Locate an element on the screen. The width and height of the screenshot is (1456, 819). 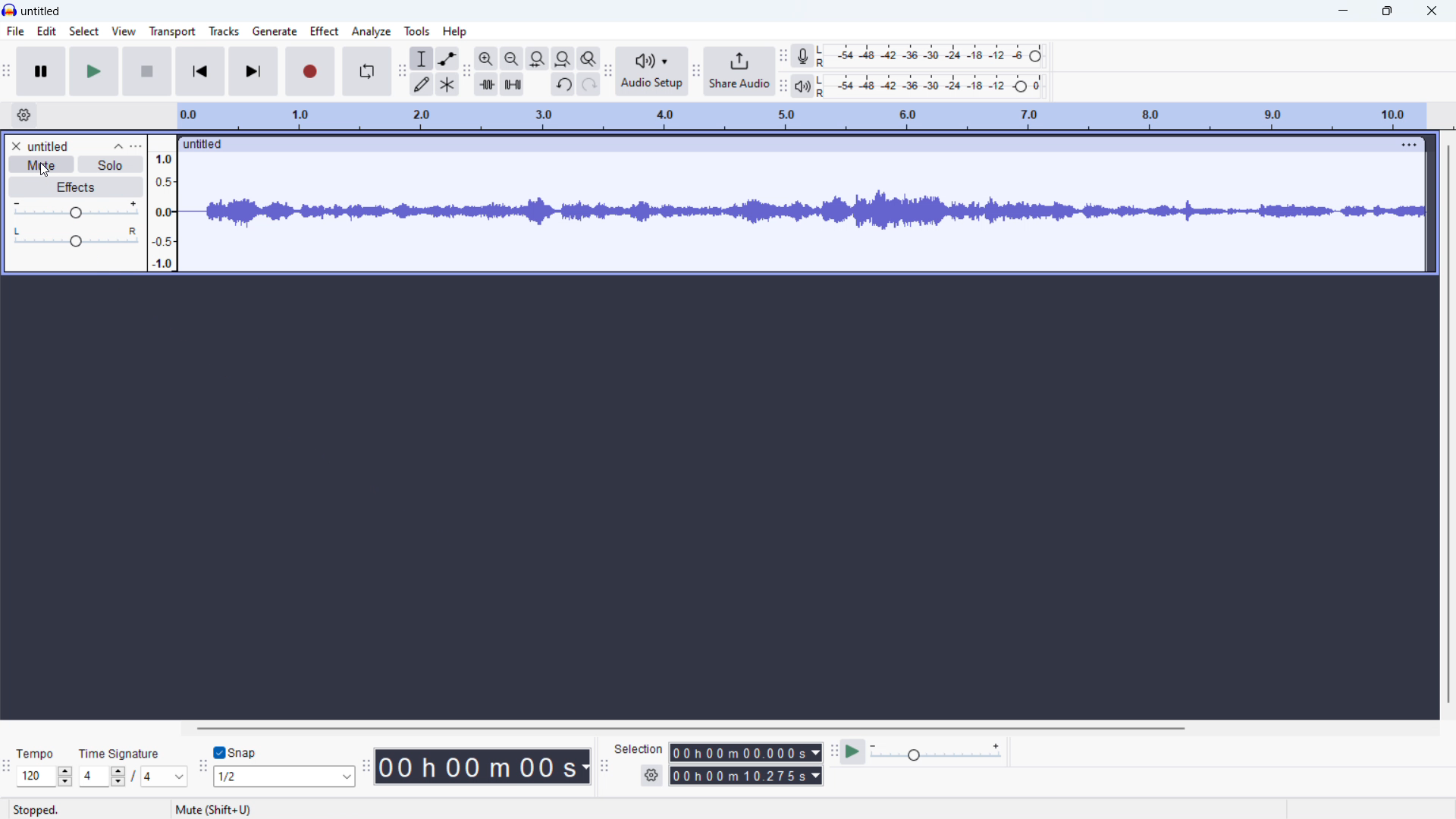
track waveform is located at coordinates (803, 211).